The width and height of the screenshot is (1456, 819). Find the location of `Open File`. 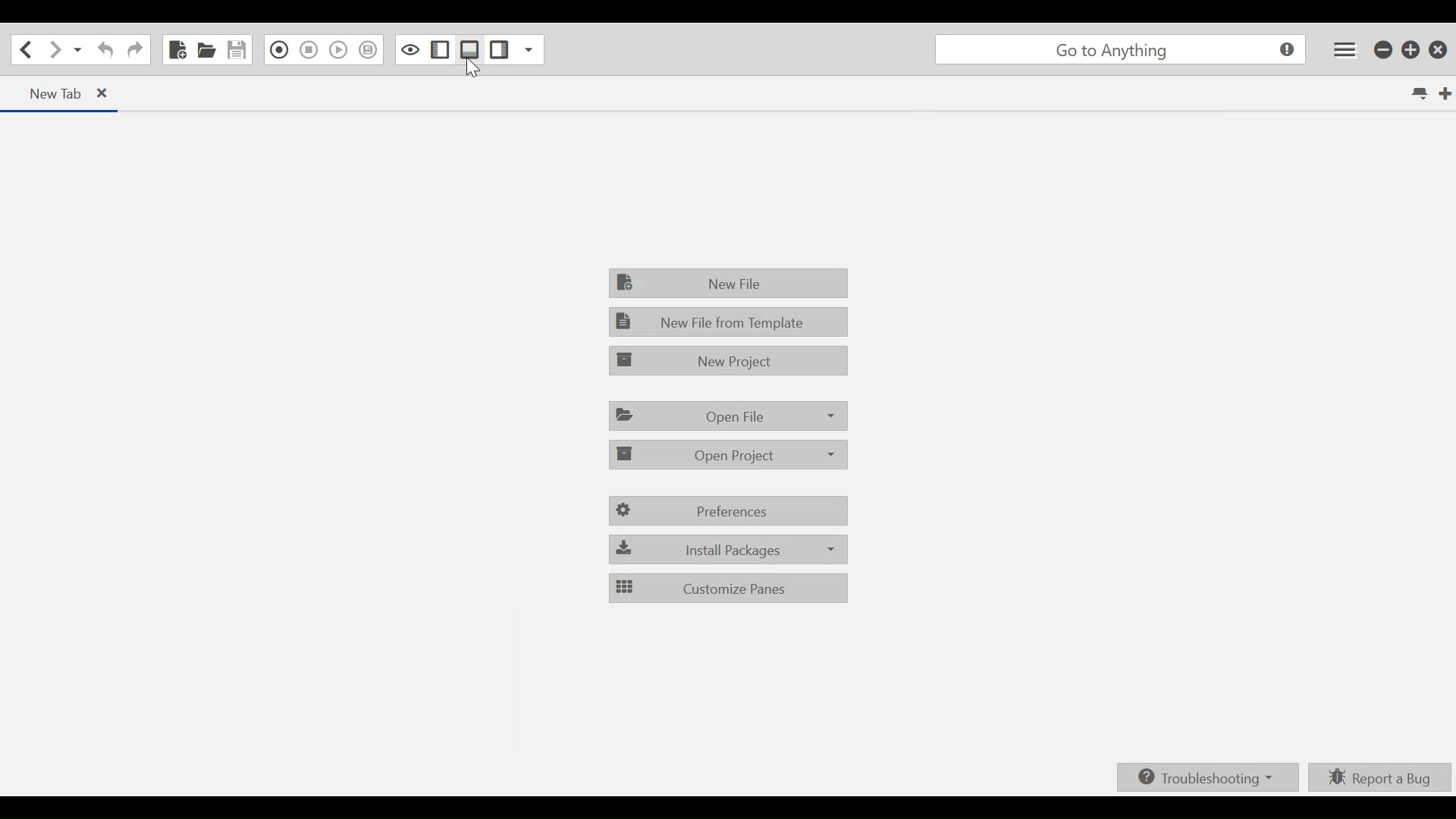

Open File is located at coordinates (206, 49).